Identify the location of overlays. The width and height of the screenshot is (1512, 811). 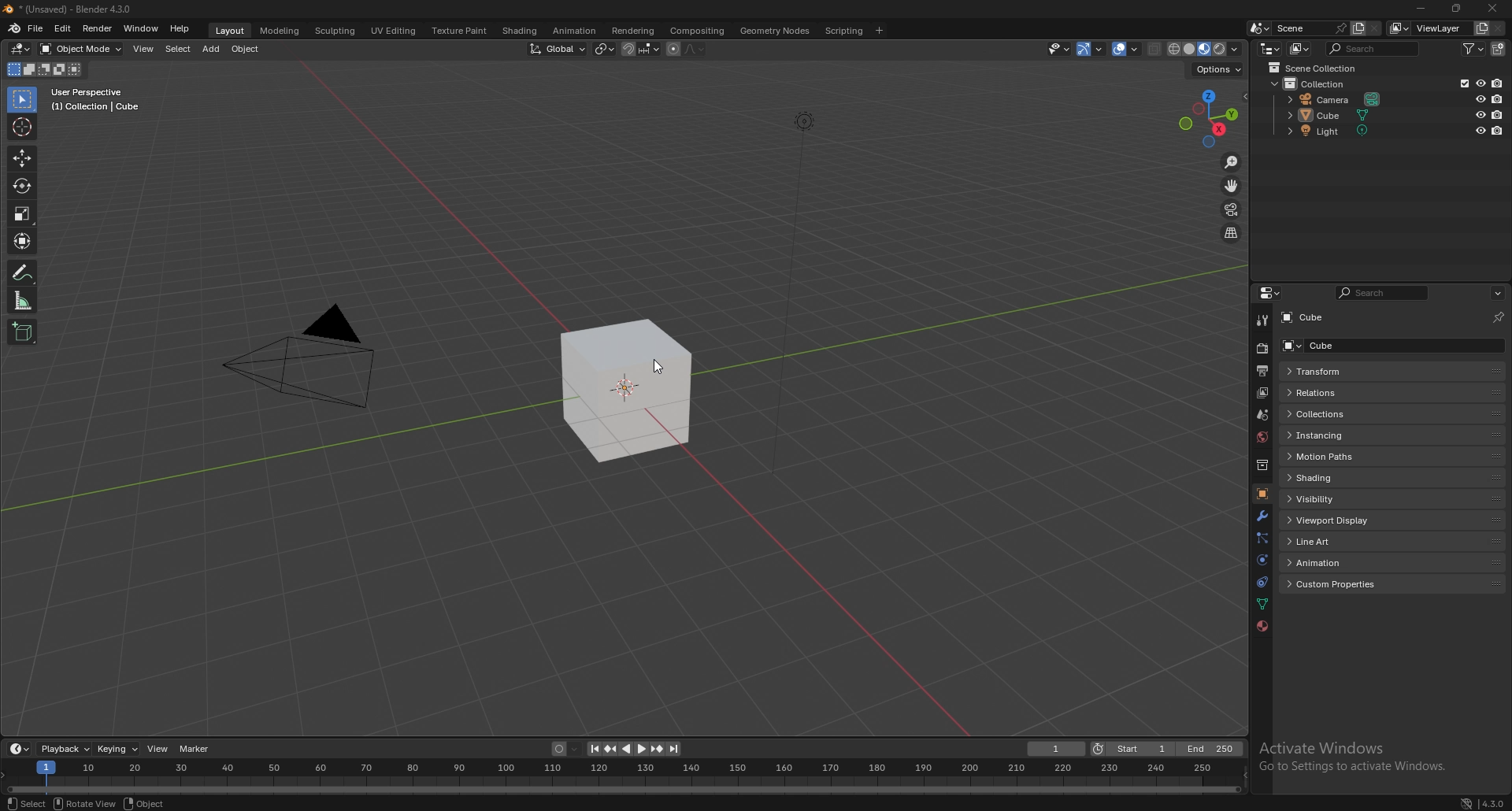
(1125, 50).